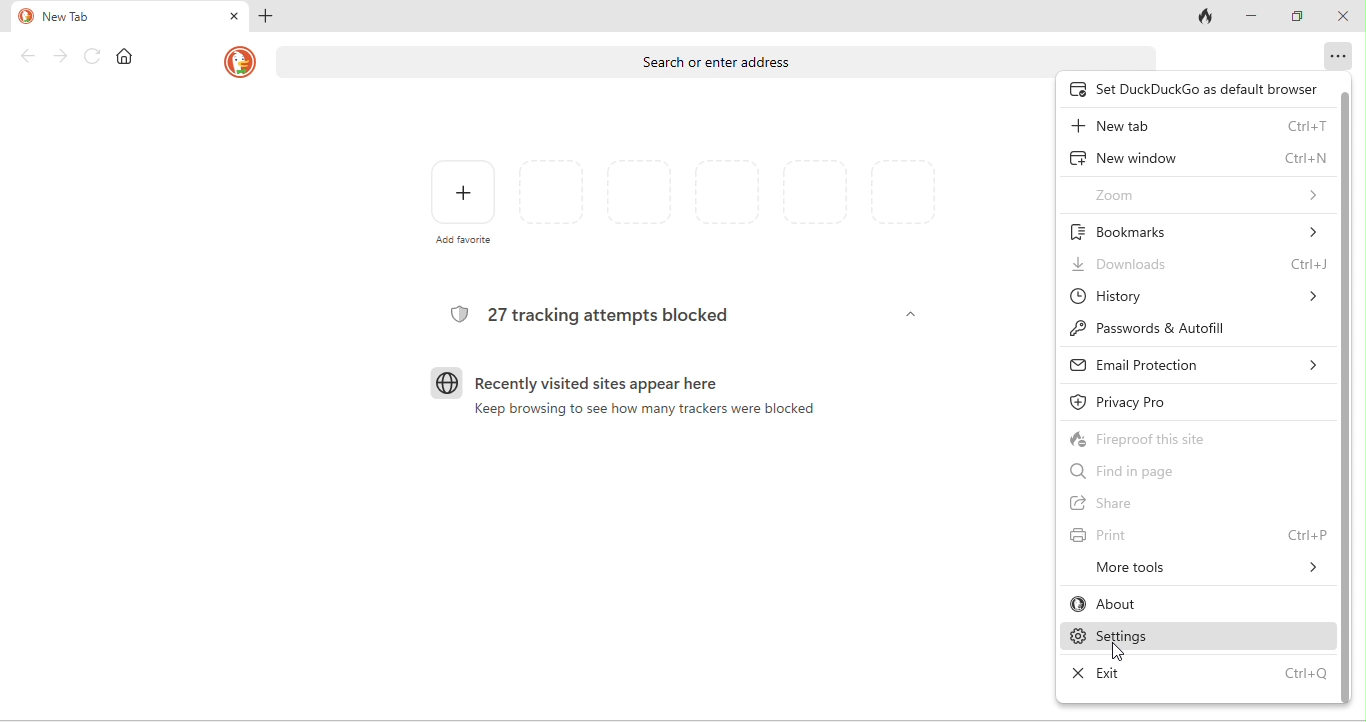 This screenshot has width=1366, height=722. Describe the element at coordinates (728, 196) in the screenshot. I see `favorites` at that location.